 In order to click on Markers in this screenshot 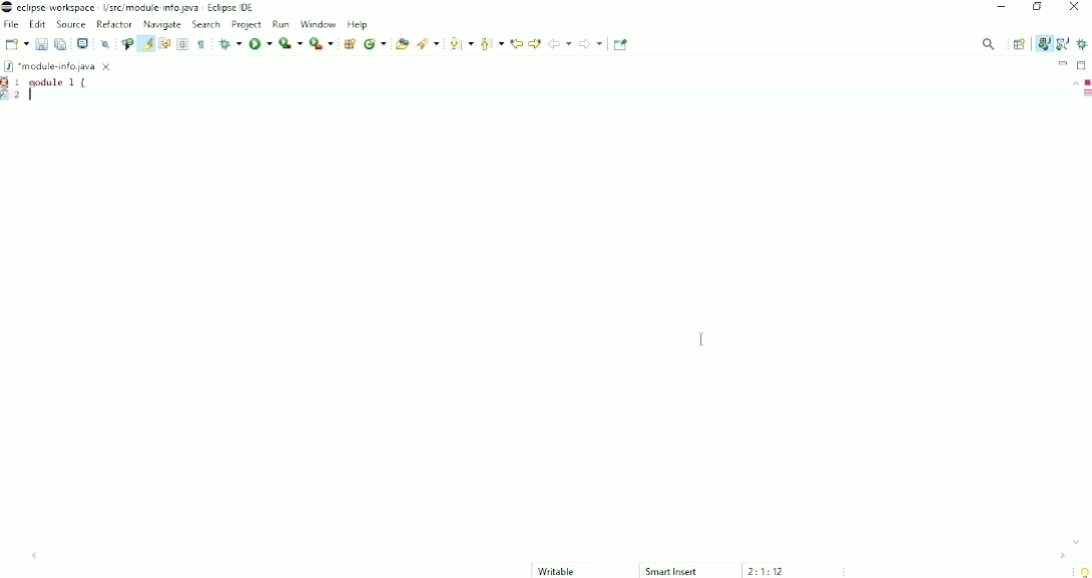, I will do `click(7, 82)`.